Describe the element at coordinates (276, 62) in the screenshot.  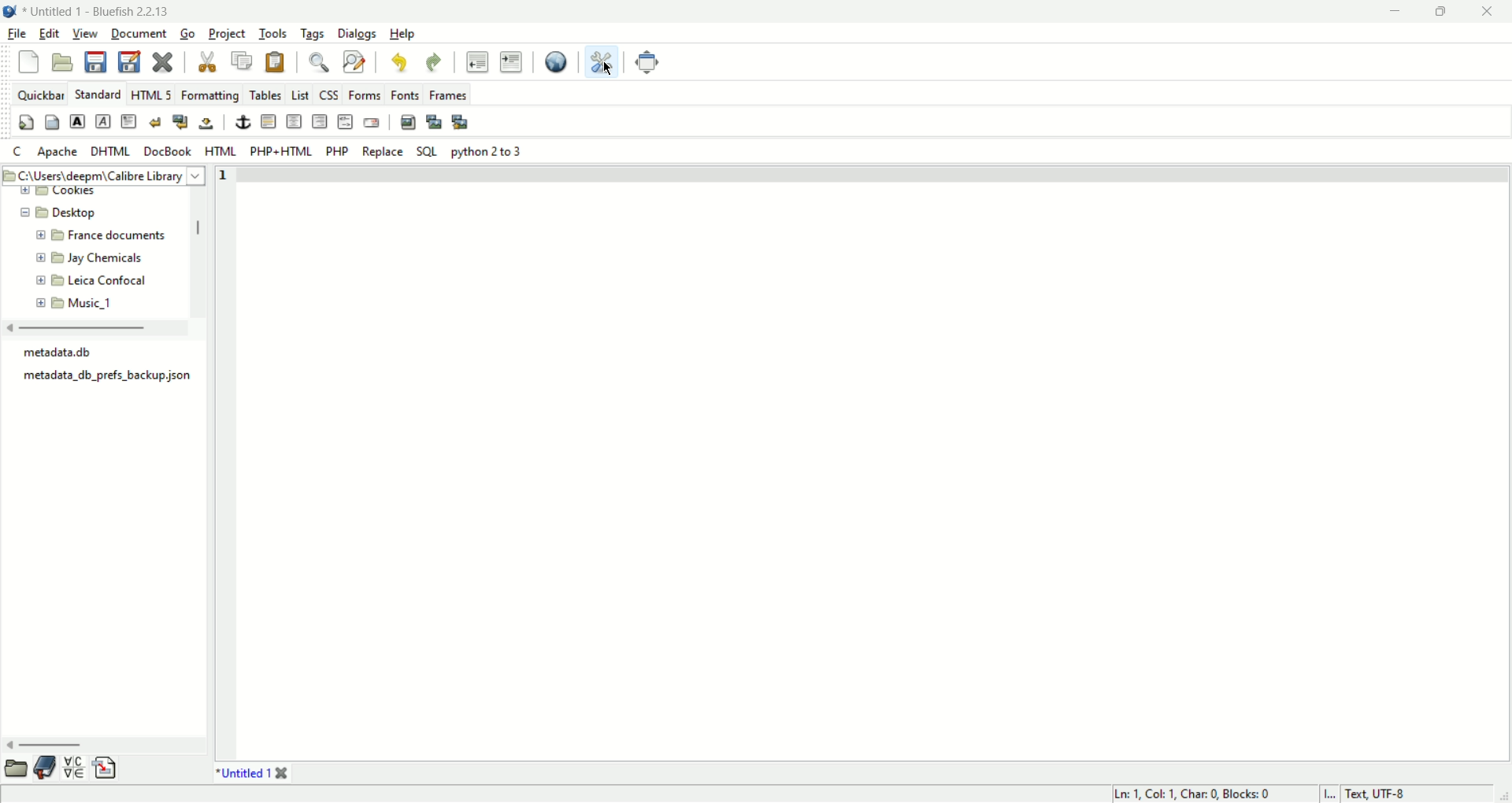
I see `paste` at that location.